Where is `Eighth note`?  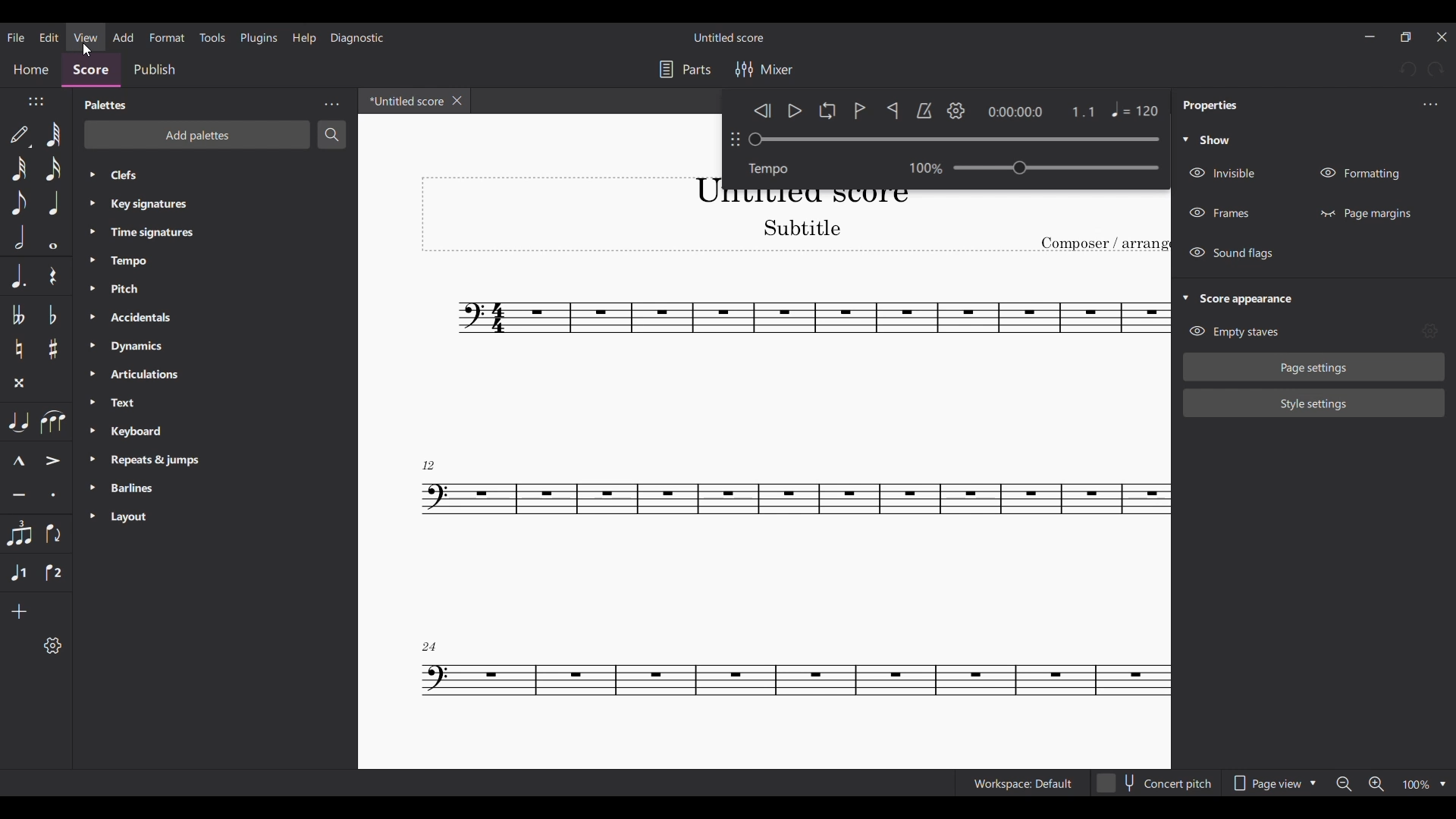 Eighth note is located at coordinates (18, 202).